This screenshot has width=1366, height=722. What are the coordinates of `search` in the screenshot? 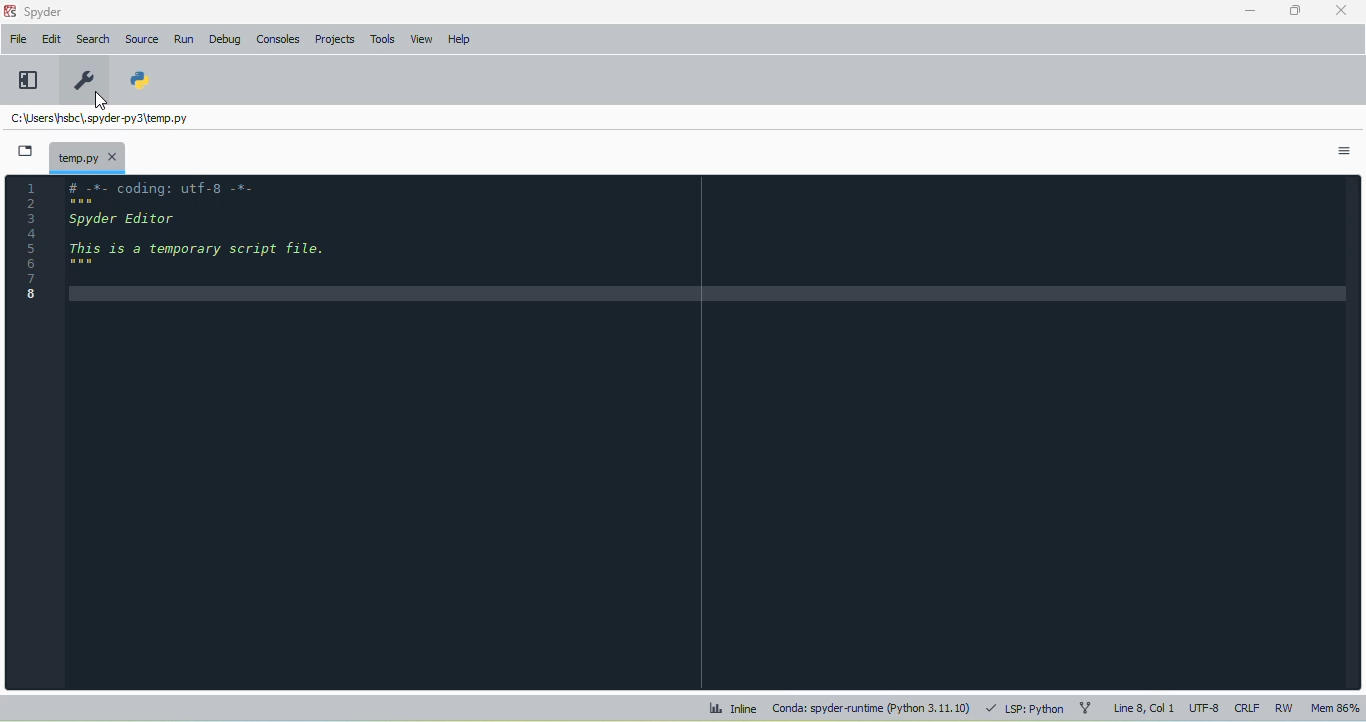 It's located at (93, 39).